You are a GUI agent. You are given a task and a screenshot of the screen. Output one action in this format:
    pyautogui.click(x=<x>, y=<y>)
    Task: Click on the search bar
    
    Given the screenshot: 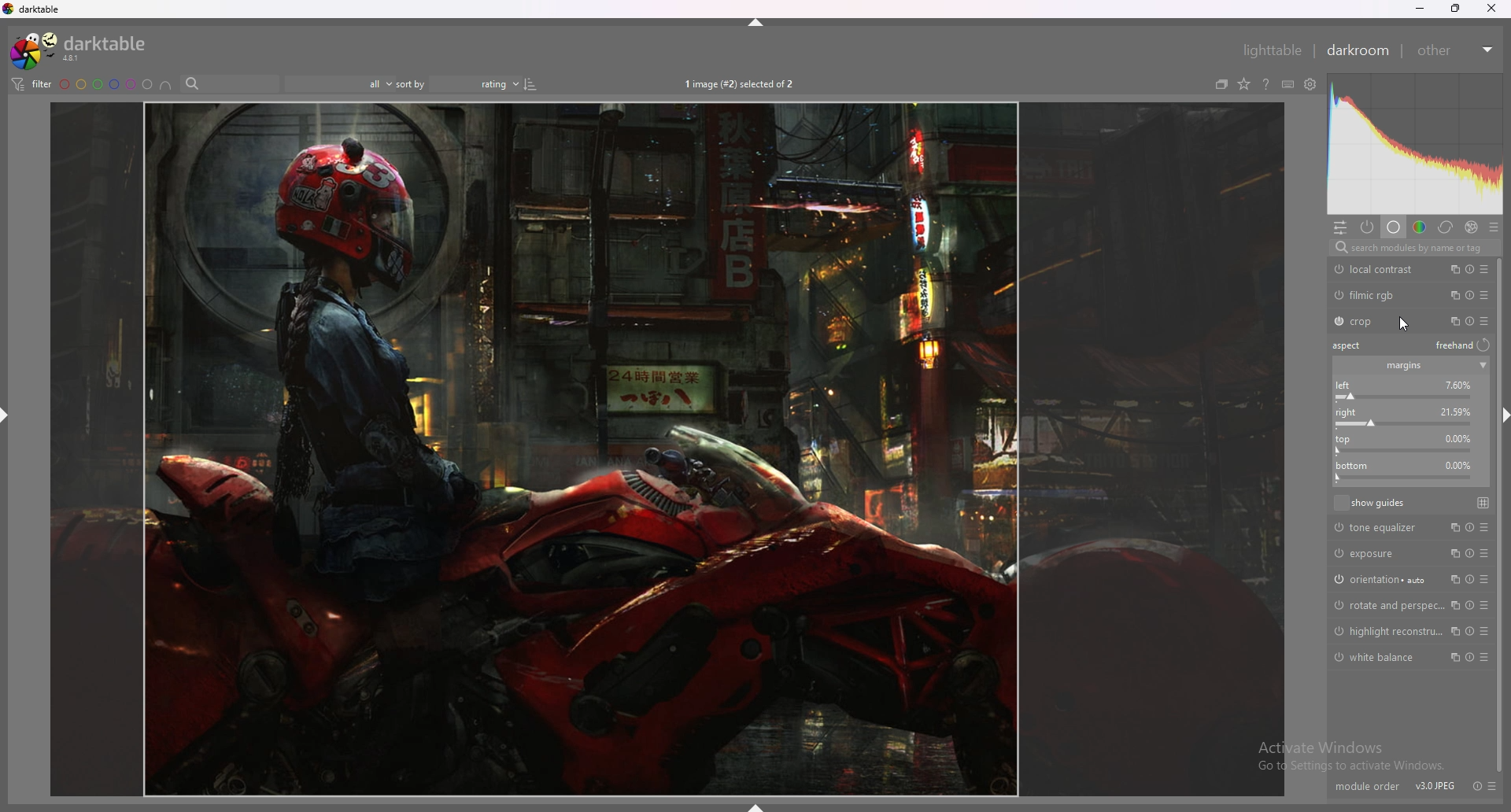 What is the action you would take?
    pyautogui.click(x=229, y=83)
    